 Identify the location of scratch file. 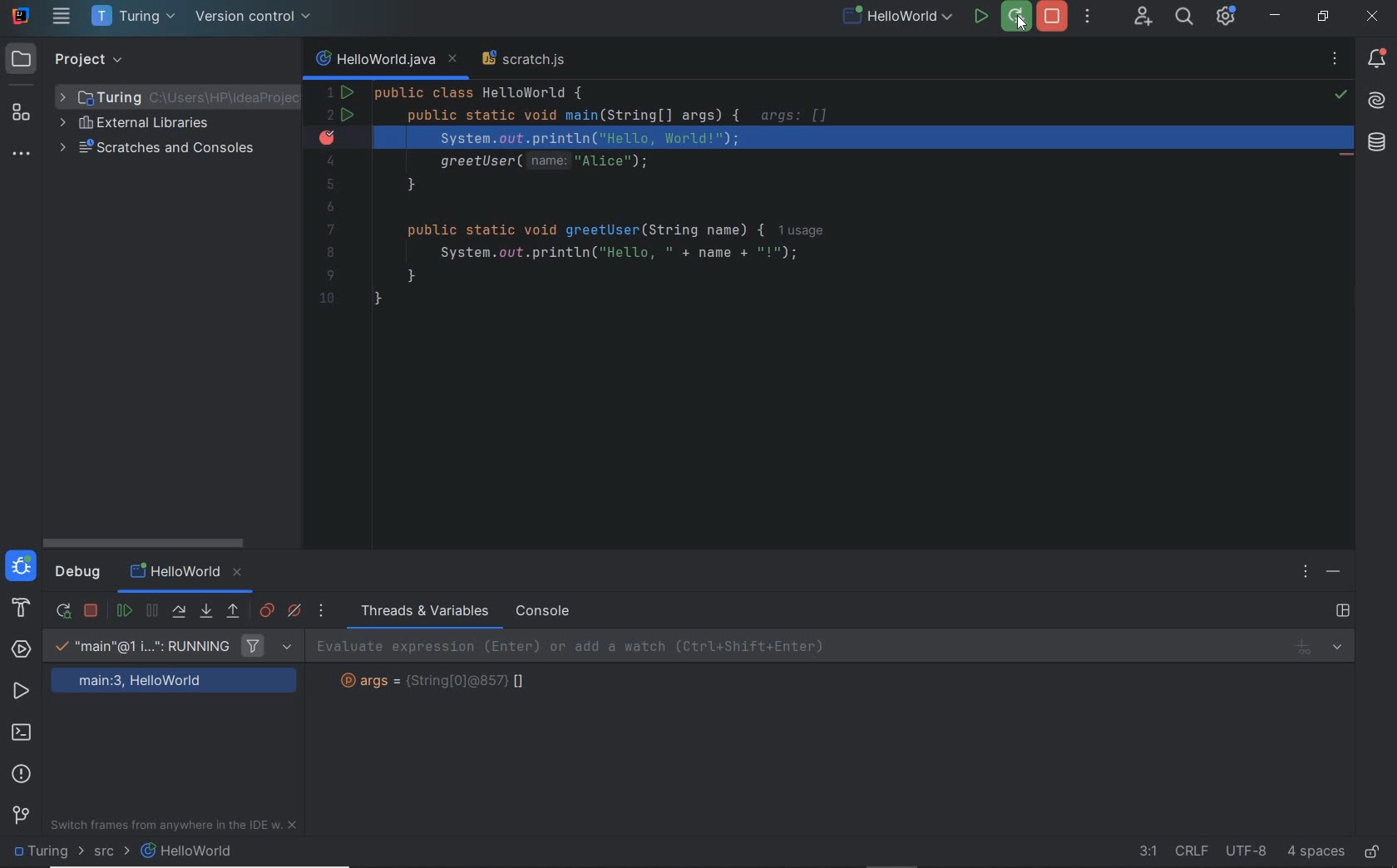
(528, 62).